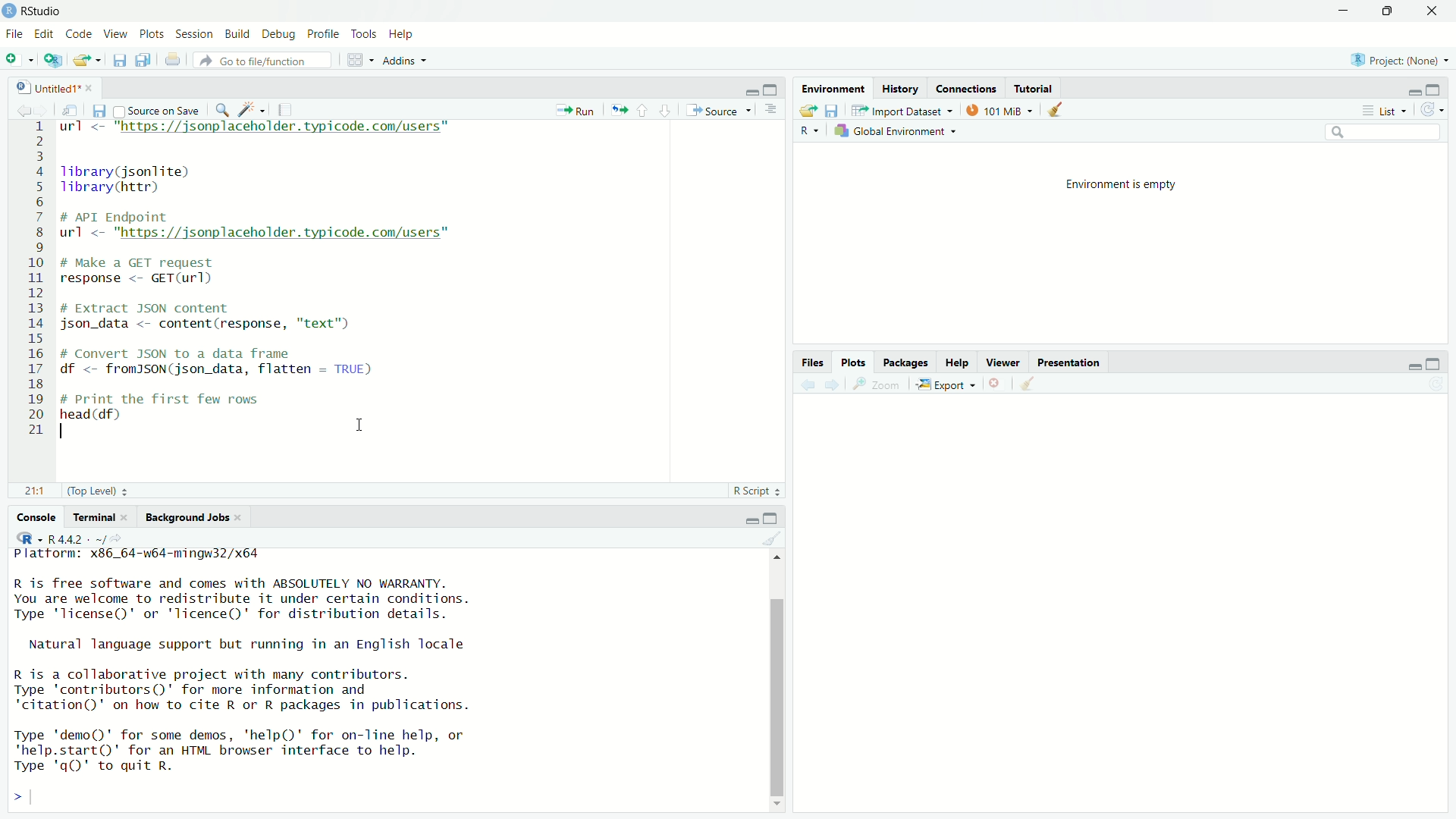 The width and height of the screenshot is (1456, 819). I want to click on Debug, so click(278, 34).